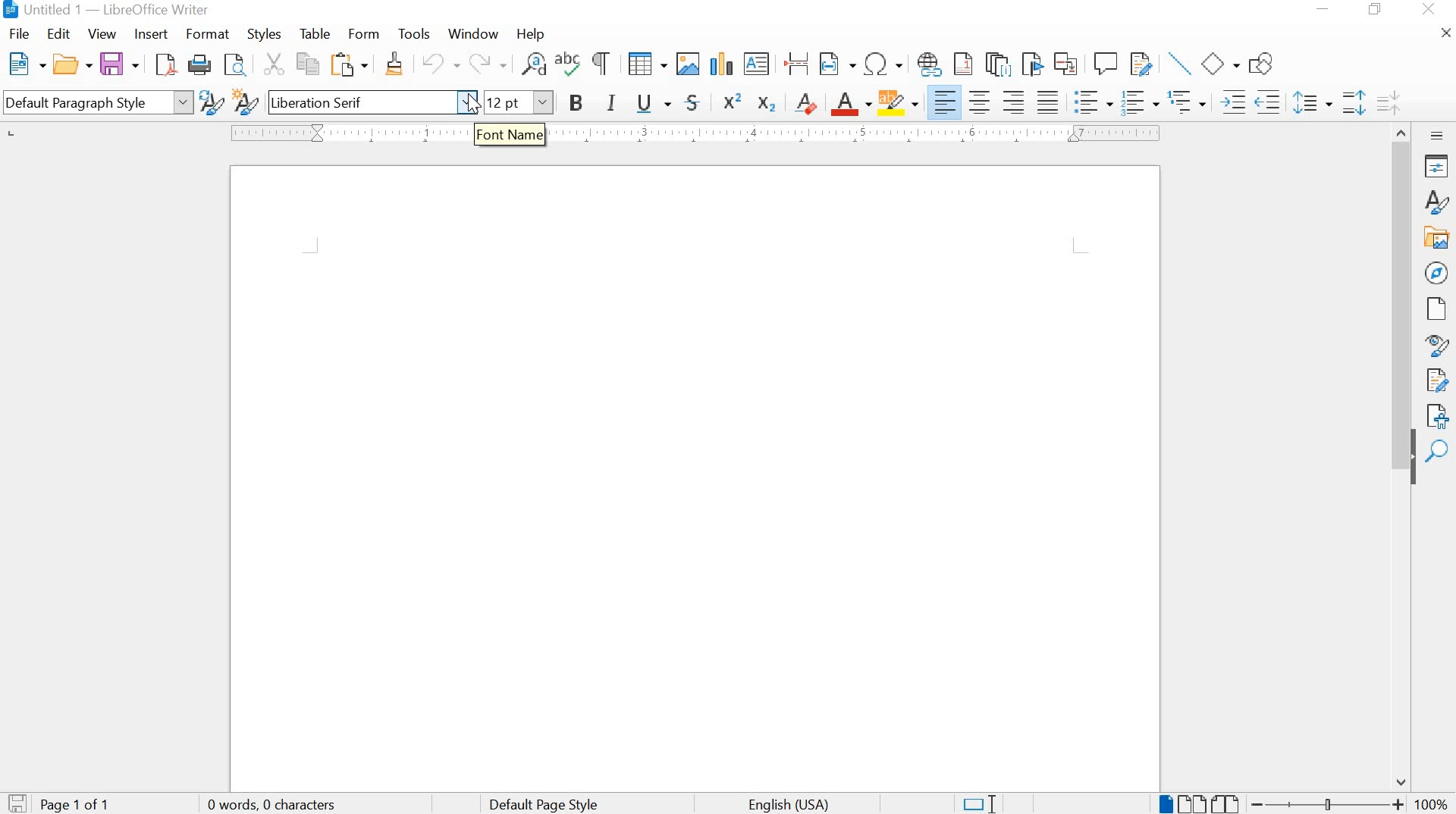 The image size is (1456, 814). What do you see at coordinates (79, 805) in the screenshot?
I see `PAGE 1 OF 1` at bounding box center [79, 805].